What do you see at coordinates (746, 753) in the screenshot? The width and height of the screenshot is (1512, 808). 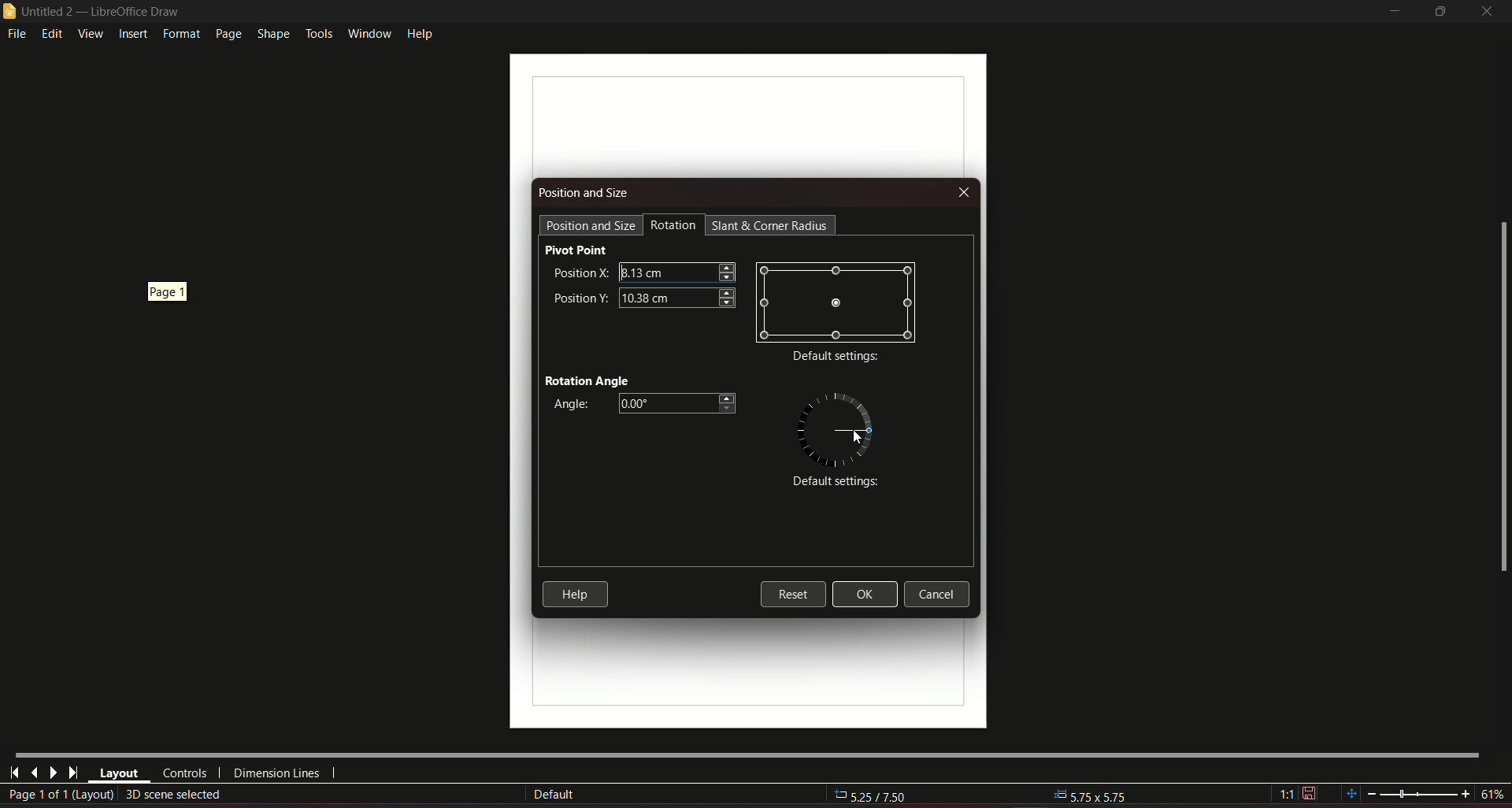 I see `Horizontal scroll bar` at bounding box center [746, 753].